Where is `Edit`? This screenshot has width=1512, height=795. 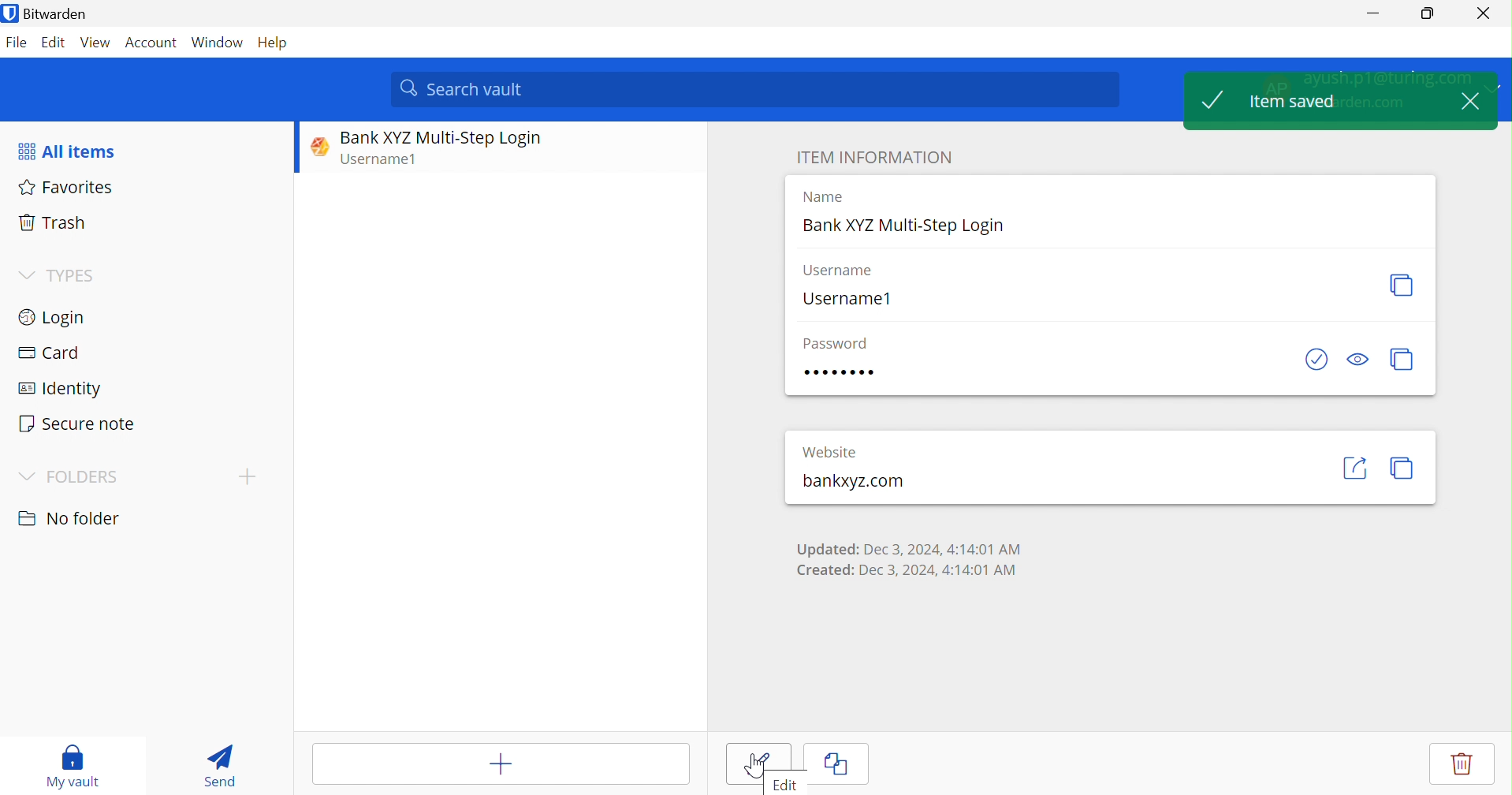
Edit is located at coordinates (53, 43).